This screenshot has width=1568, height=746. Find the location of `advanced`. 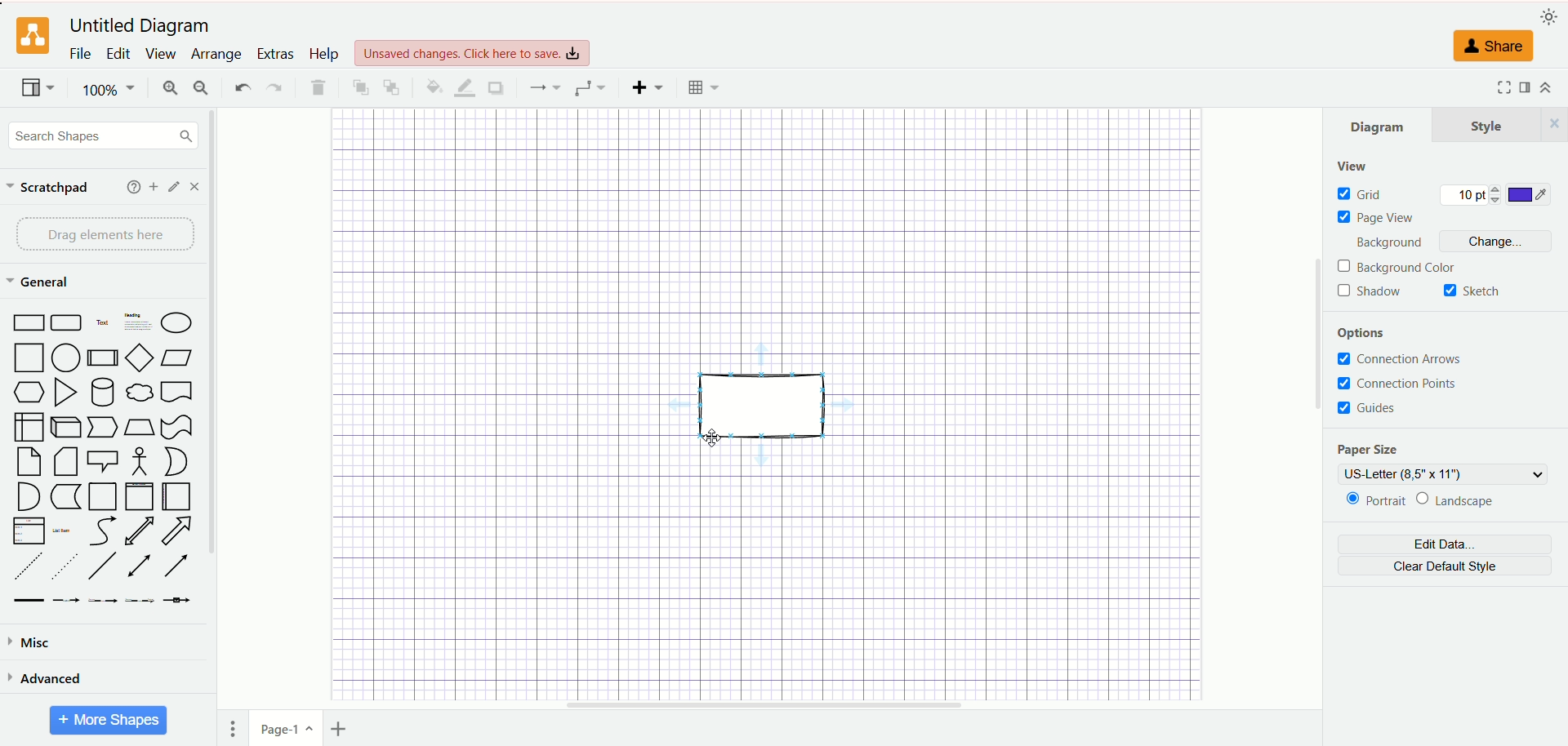

advanced is located at coordinates (47, 681).